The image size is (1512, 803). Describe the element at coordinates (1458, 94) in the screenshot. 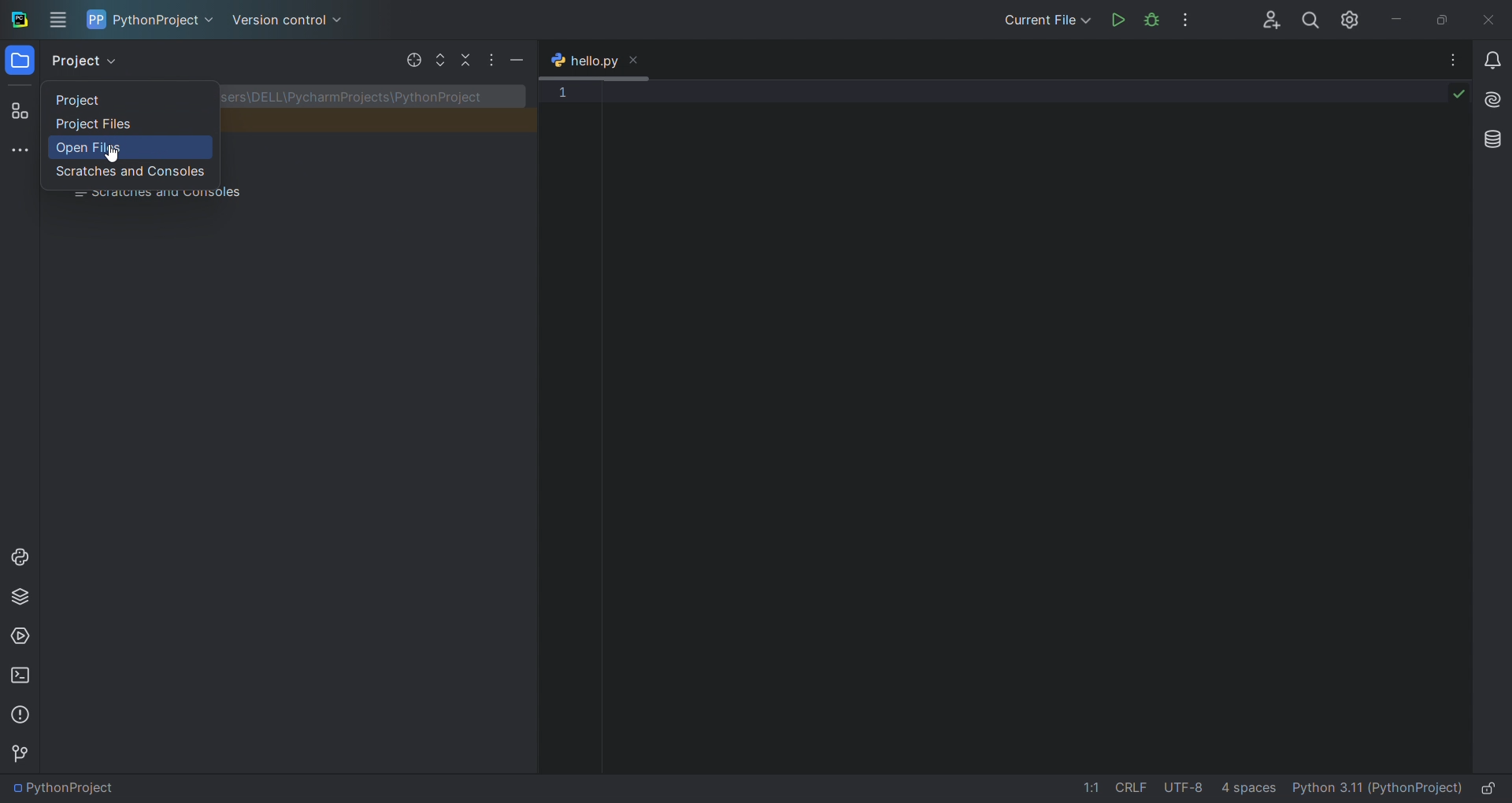

I see `code check` at that location.